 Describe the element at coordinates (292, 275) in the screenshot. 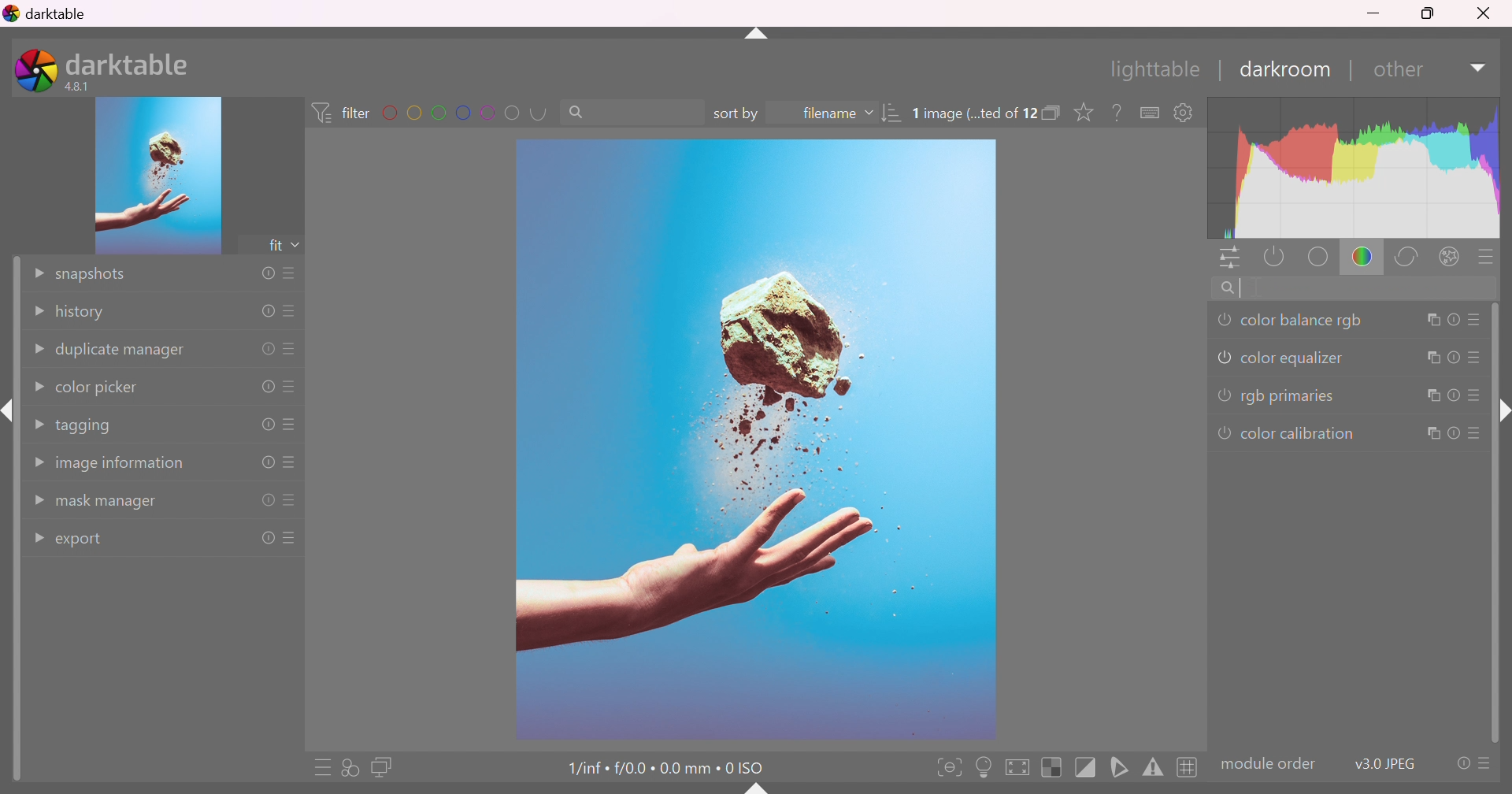

I see `presets` at that location.